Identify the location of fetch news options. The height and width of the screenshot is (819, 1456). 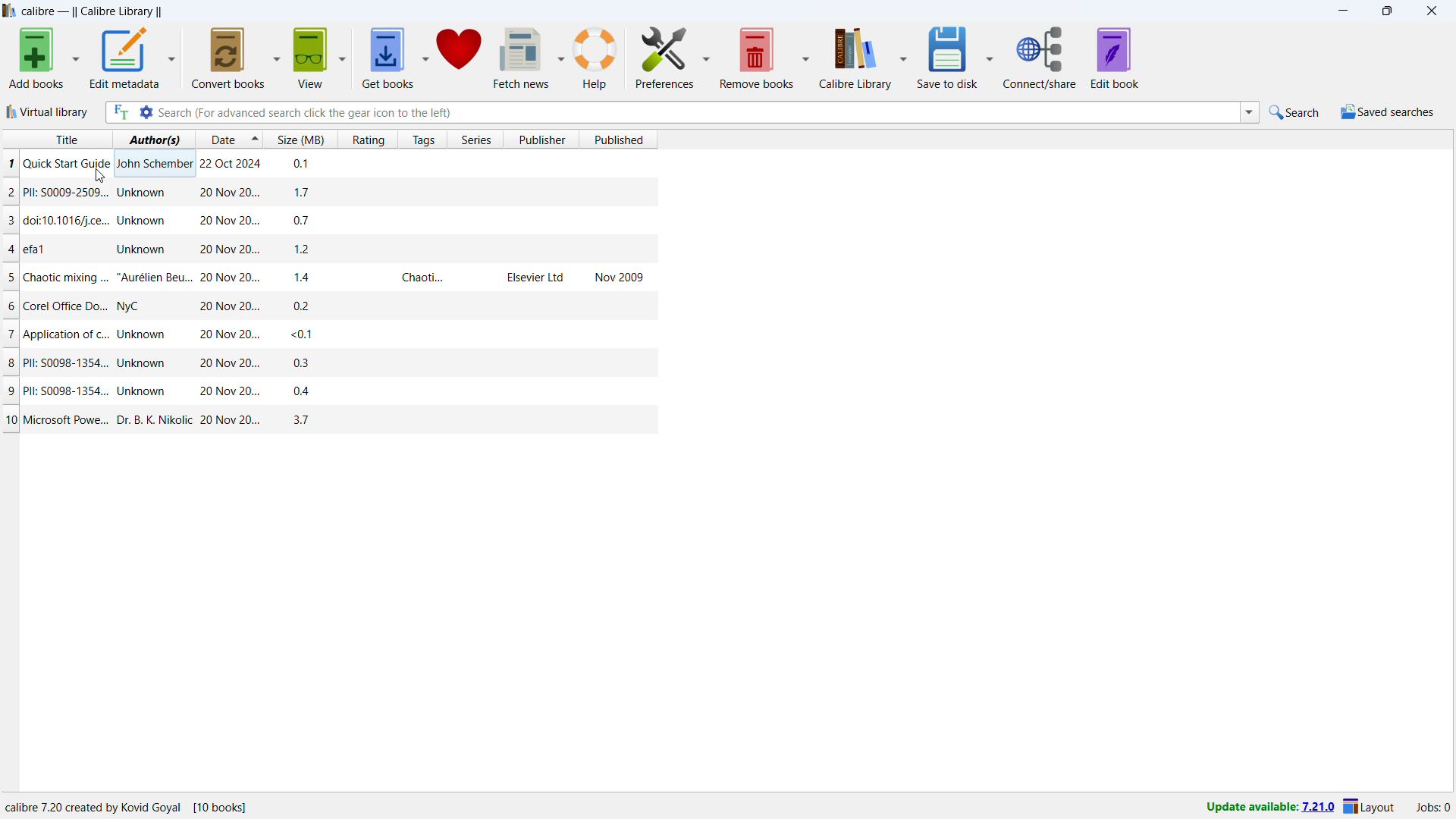
(560, 56).